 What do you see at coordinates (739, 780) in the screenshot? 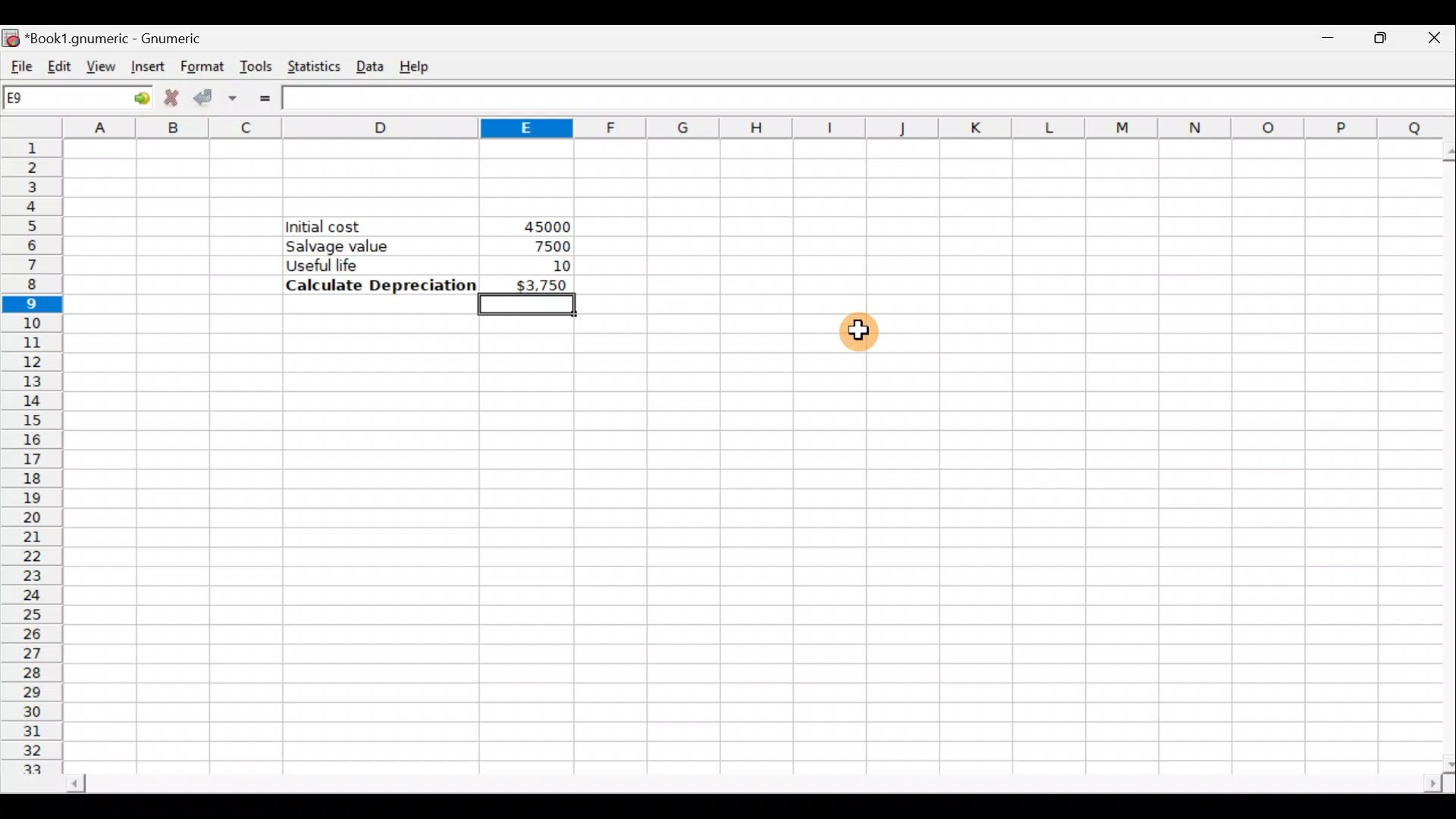
I see `Scroll bar` at bounding box center [739, 780].